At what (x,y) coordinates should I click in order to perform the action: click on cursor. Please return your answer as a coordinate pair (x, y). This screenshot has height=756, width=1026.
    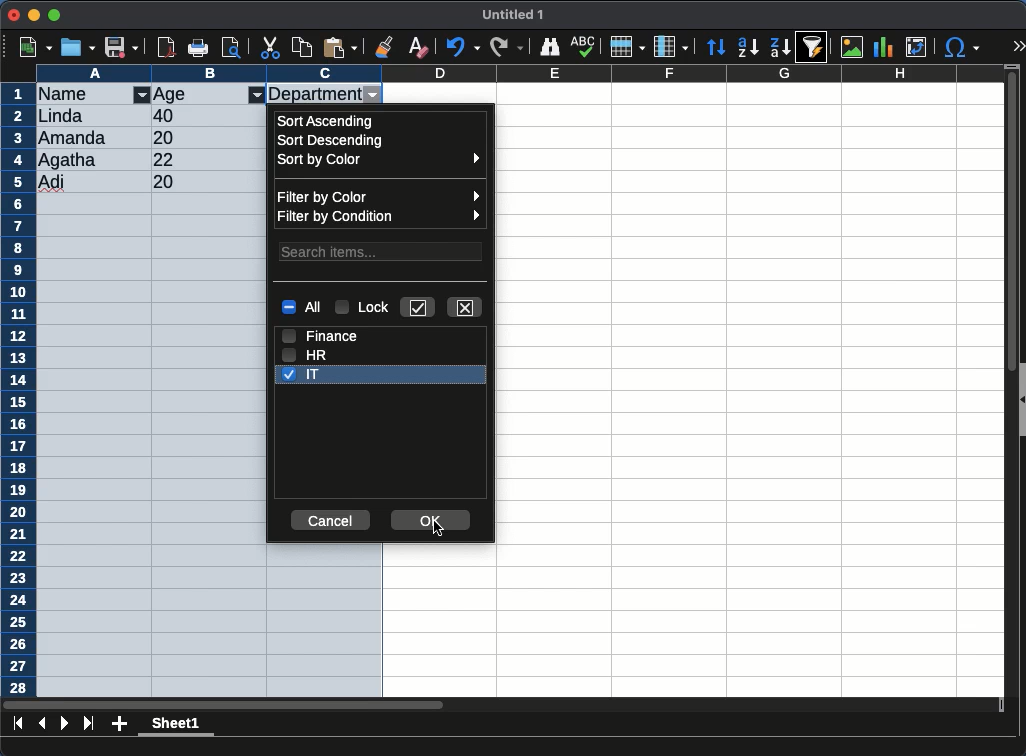
    Looking at the image, I should click on (438, 530).